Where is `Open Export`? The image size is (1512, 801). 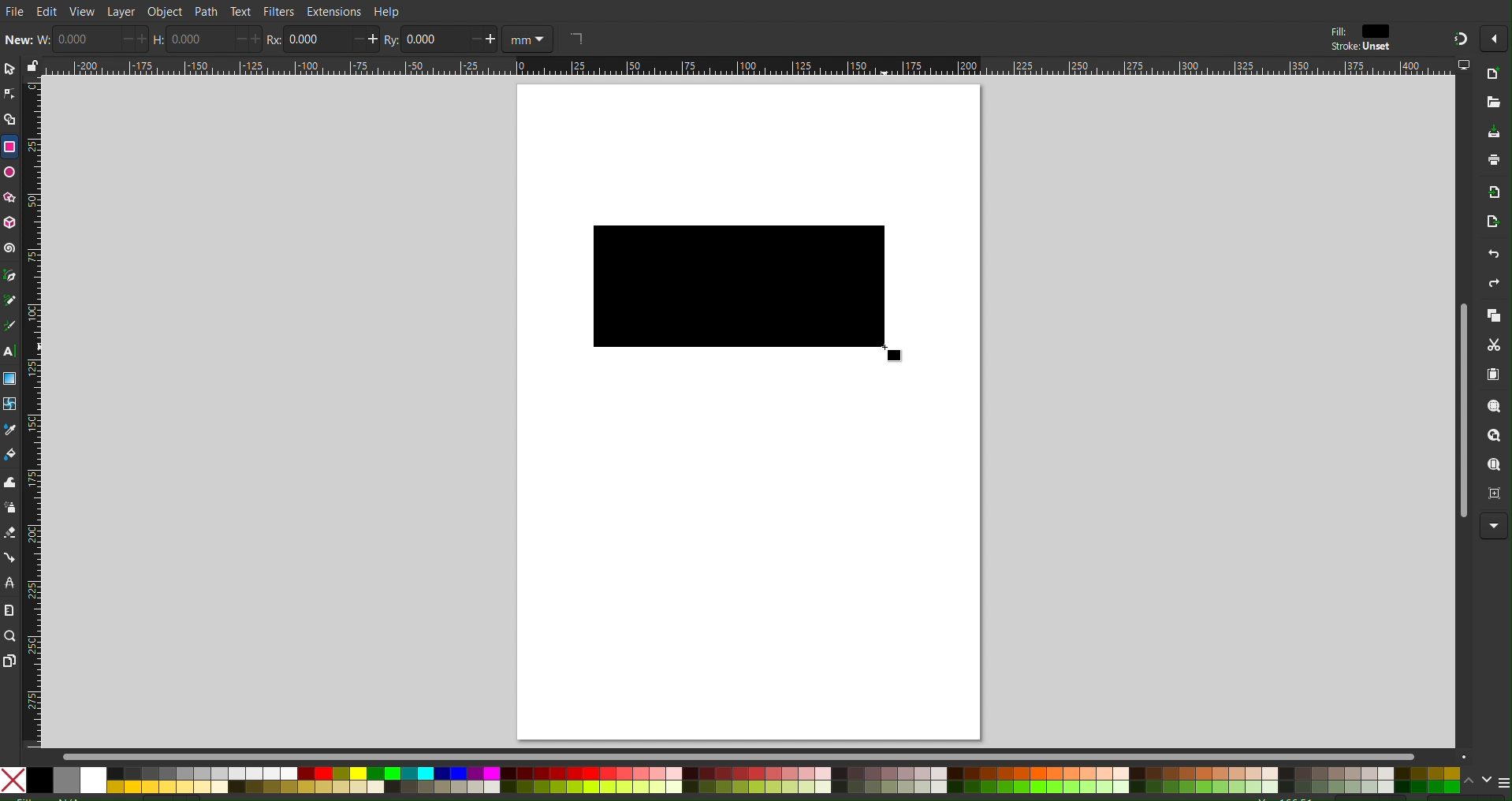
Open Export is located at coordinates (1485, 225).